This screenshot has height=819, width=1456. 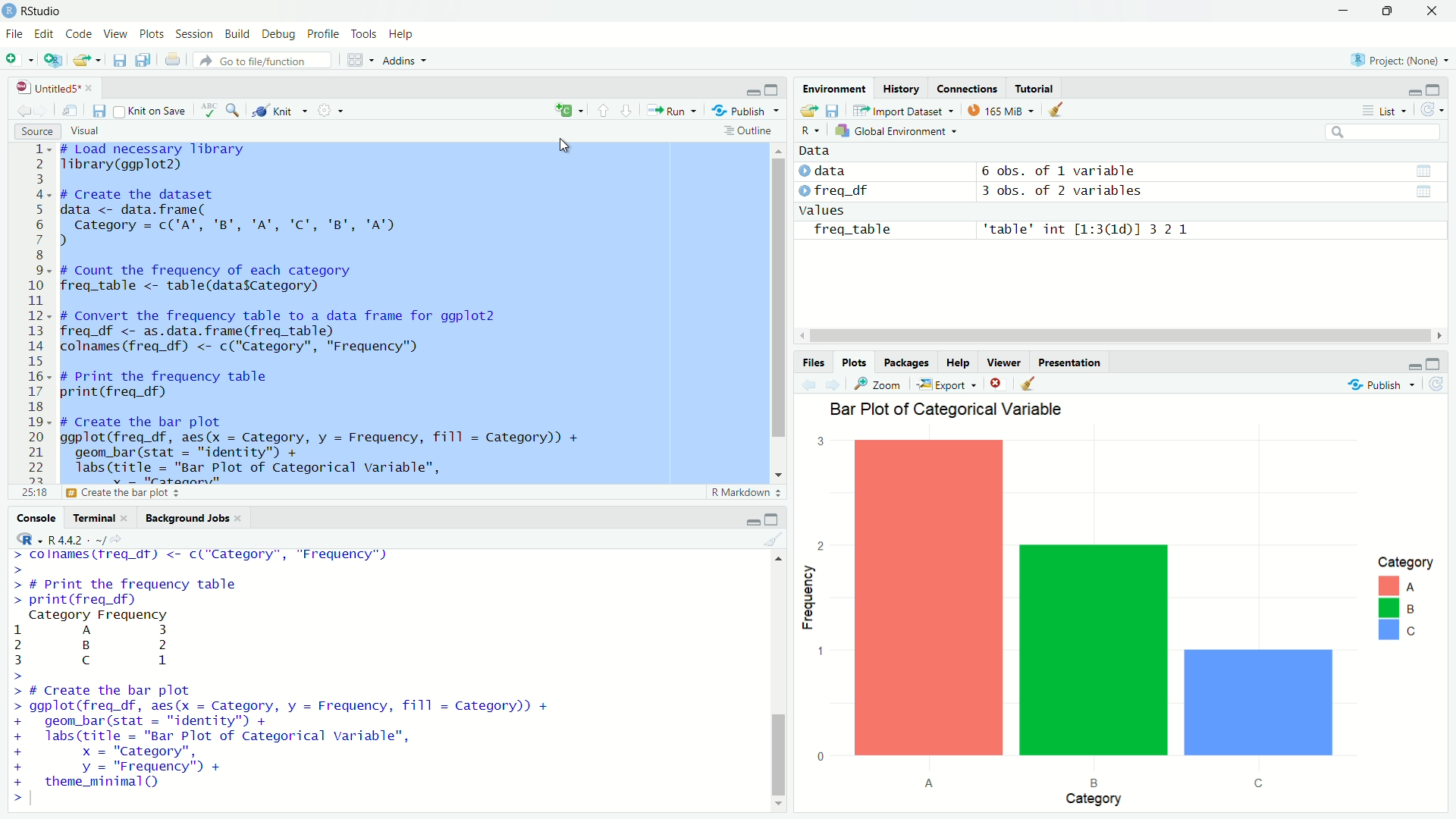 I want to click on Background Jobs, so click(x=189, y=518).